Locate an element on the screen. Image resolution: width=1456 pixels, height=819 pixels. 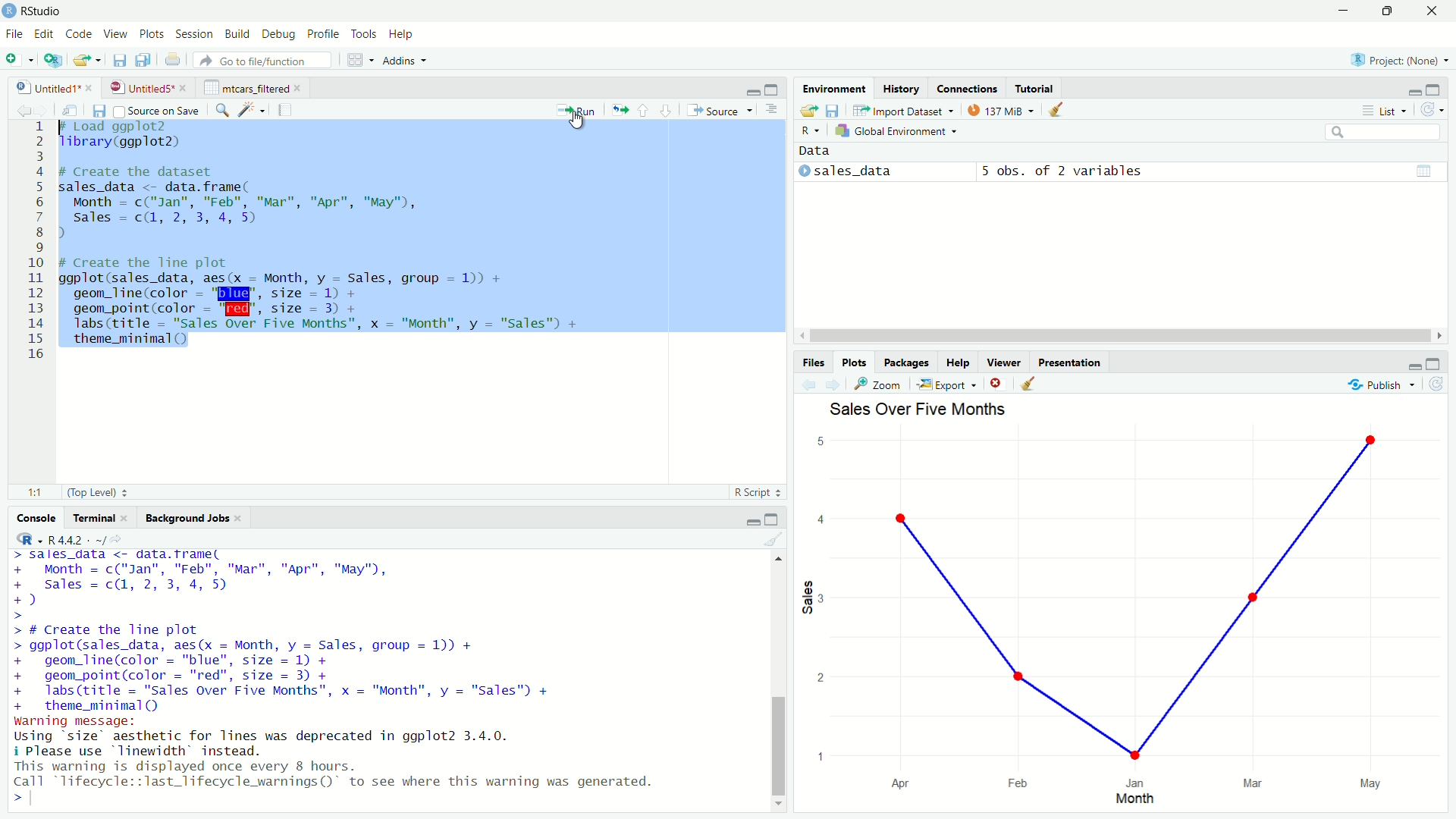
RStudio is located at coordinates (44, 11).